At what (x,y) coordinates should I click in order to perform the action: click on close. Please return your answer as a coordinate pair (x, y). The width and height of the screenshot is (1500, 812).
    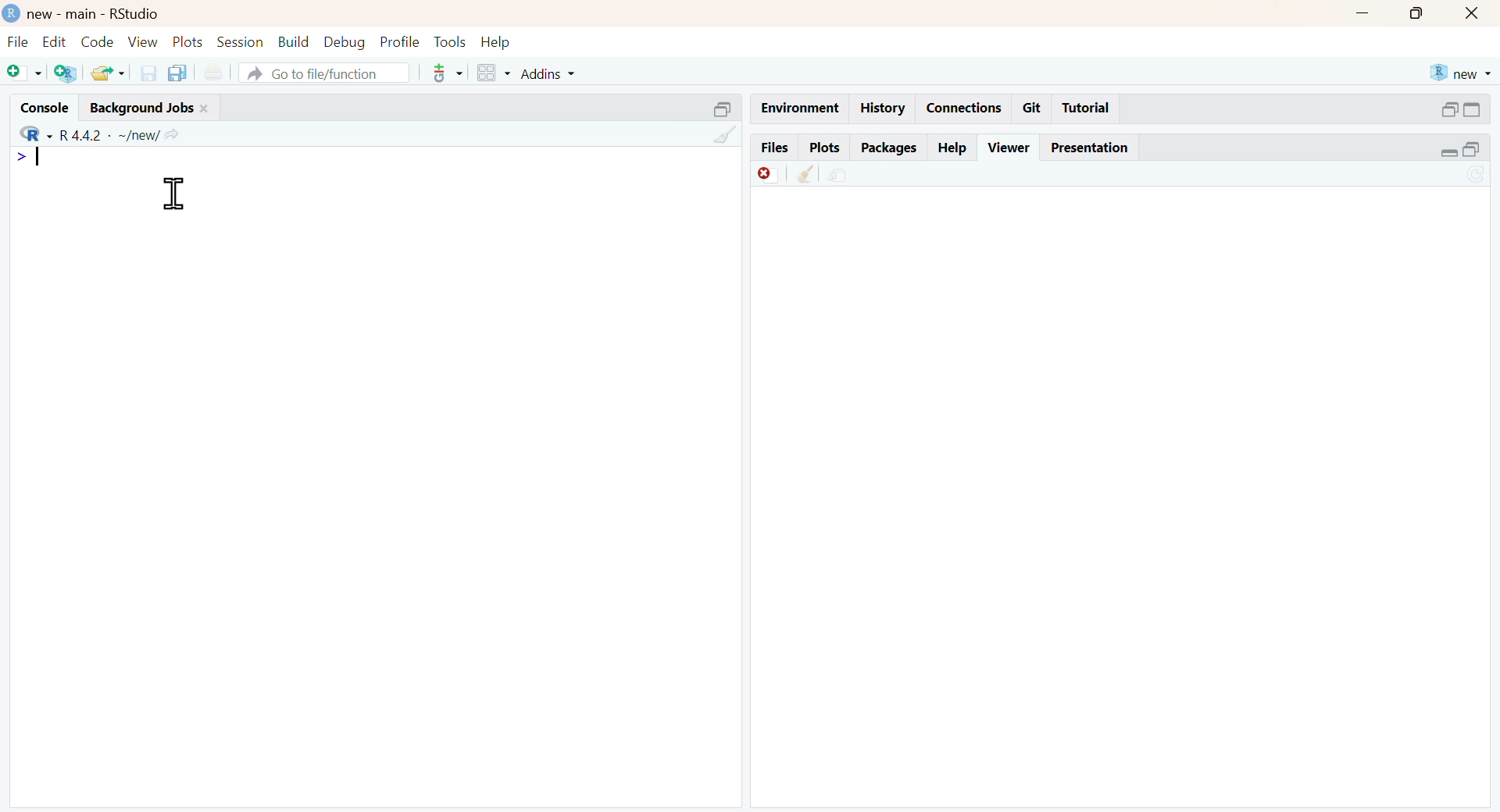
    Looking at the image, I should click on (1473, 14).